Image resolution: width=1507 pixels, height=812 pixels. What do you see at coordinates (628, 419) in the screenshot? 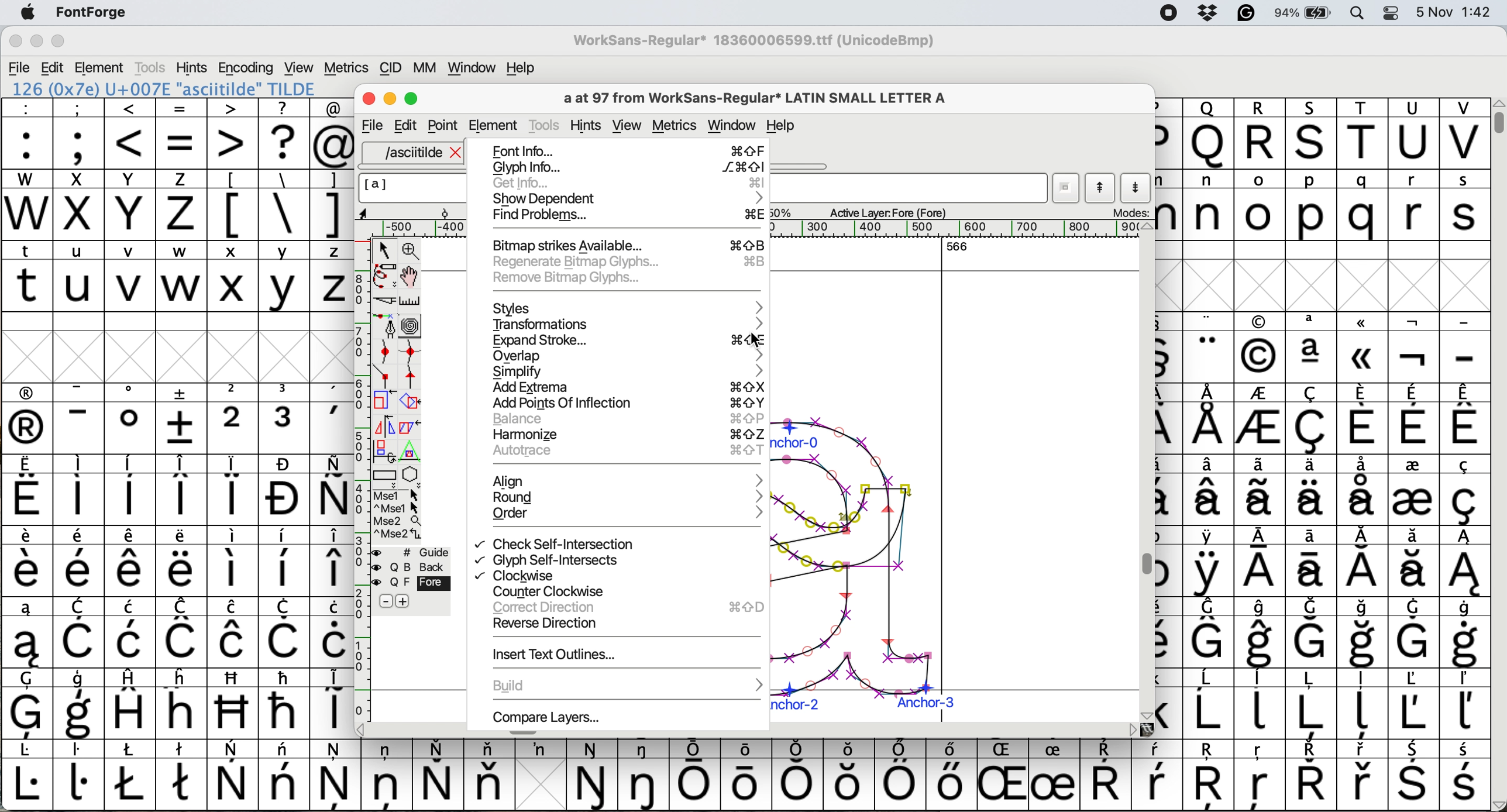
I see `balance` at bounding box center [628, 419].